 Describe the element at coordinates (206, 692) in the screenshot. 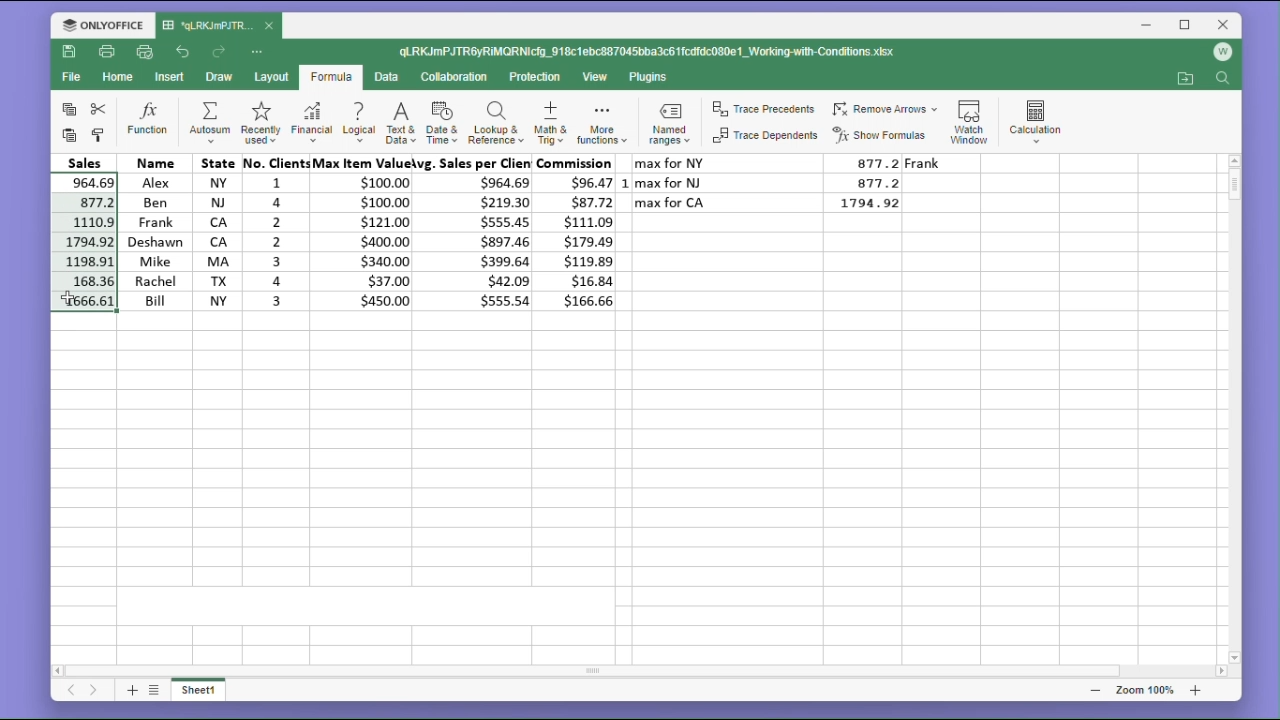

I see `sheet 1` at that location.